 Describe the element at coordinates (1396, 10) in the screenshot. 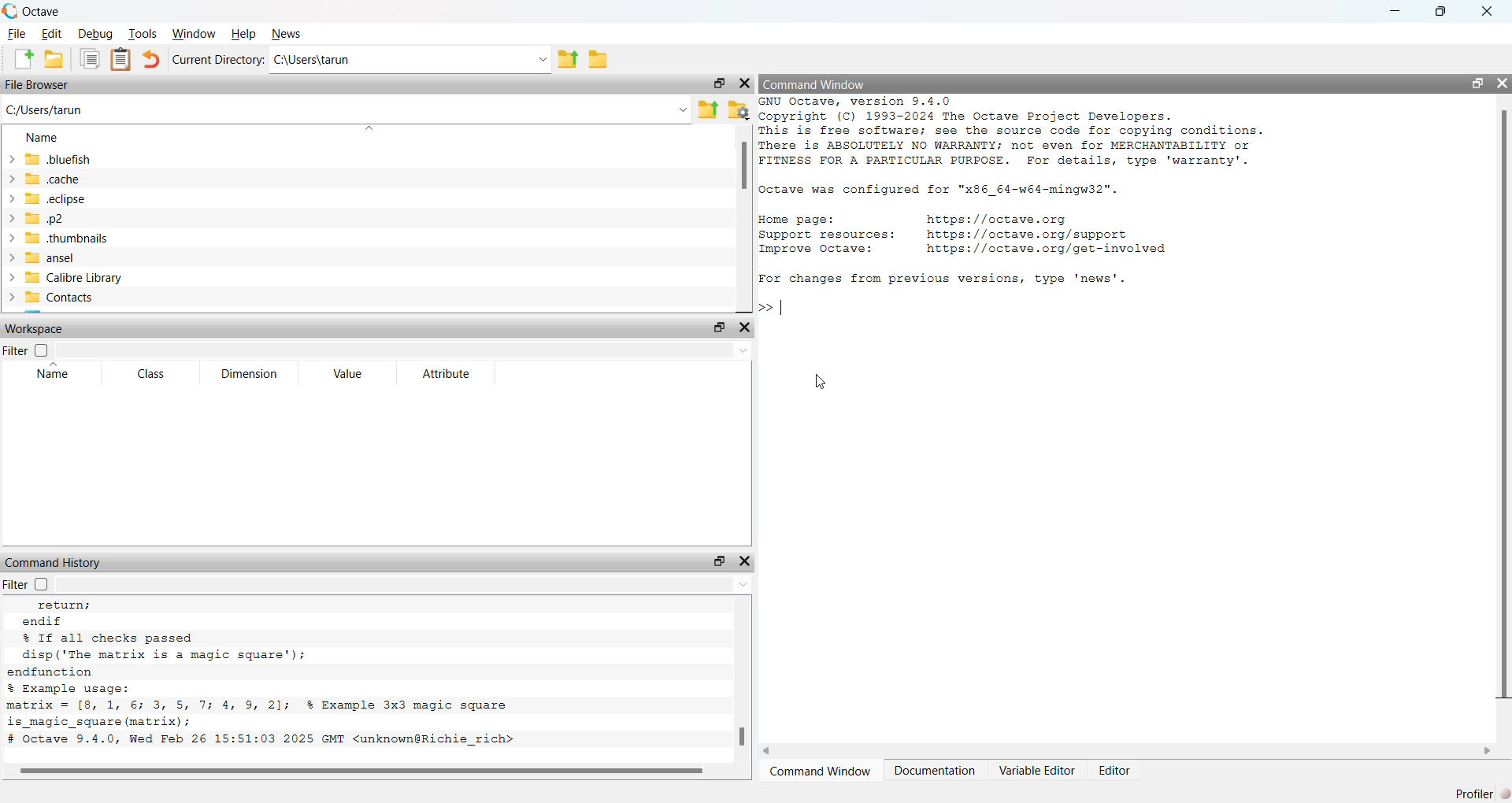

I see `minimize` at that location.